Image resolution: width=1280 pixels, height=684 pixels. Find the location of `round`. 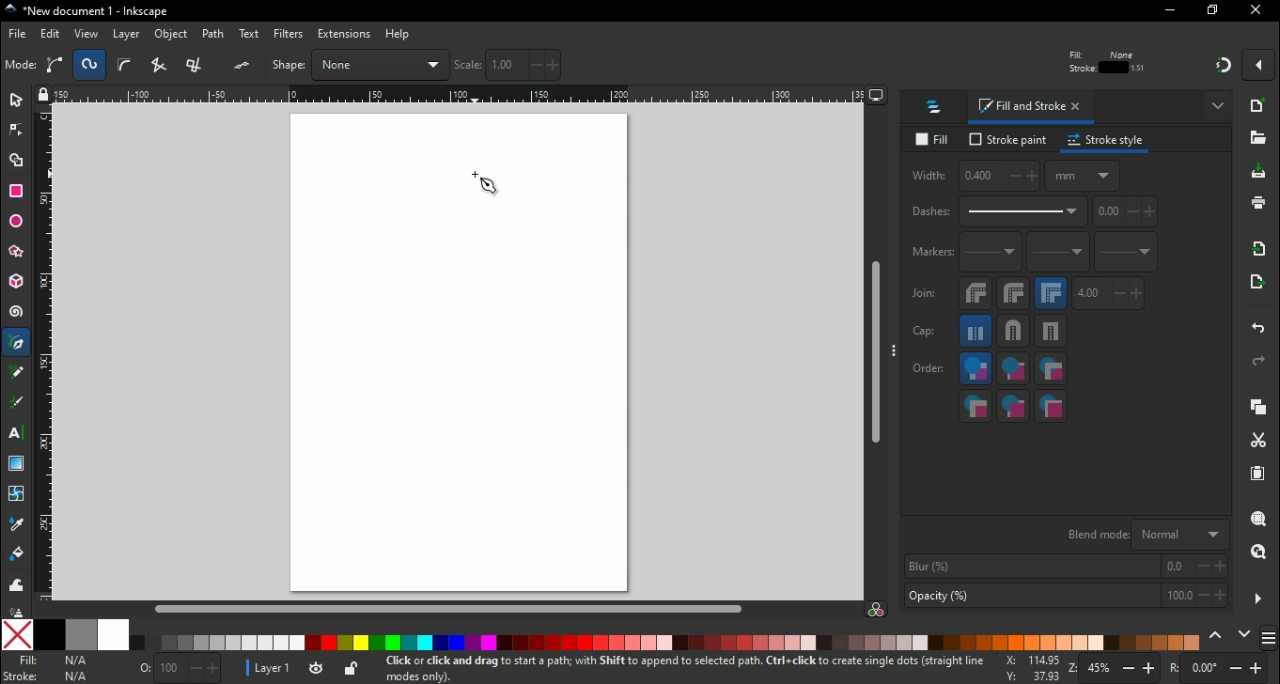

round is located at coordinates (1015, 334).